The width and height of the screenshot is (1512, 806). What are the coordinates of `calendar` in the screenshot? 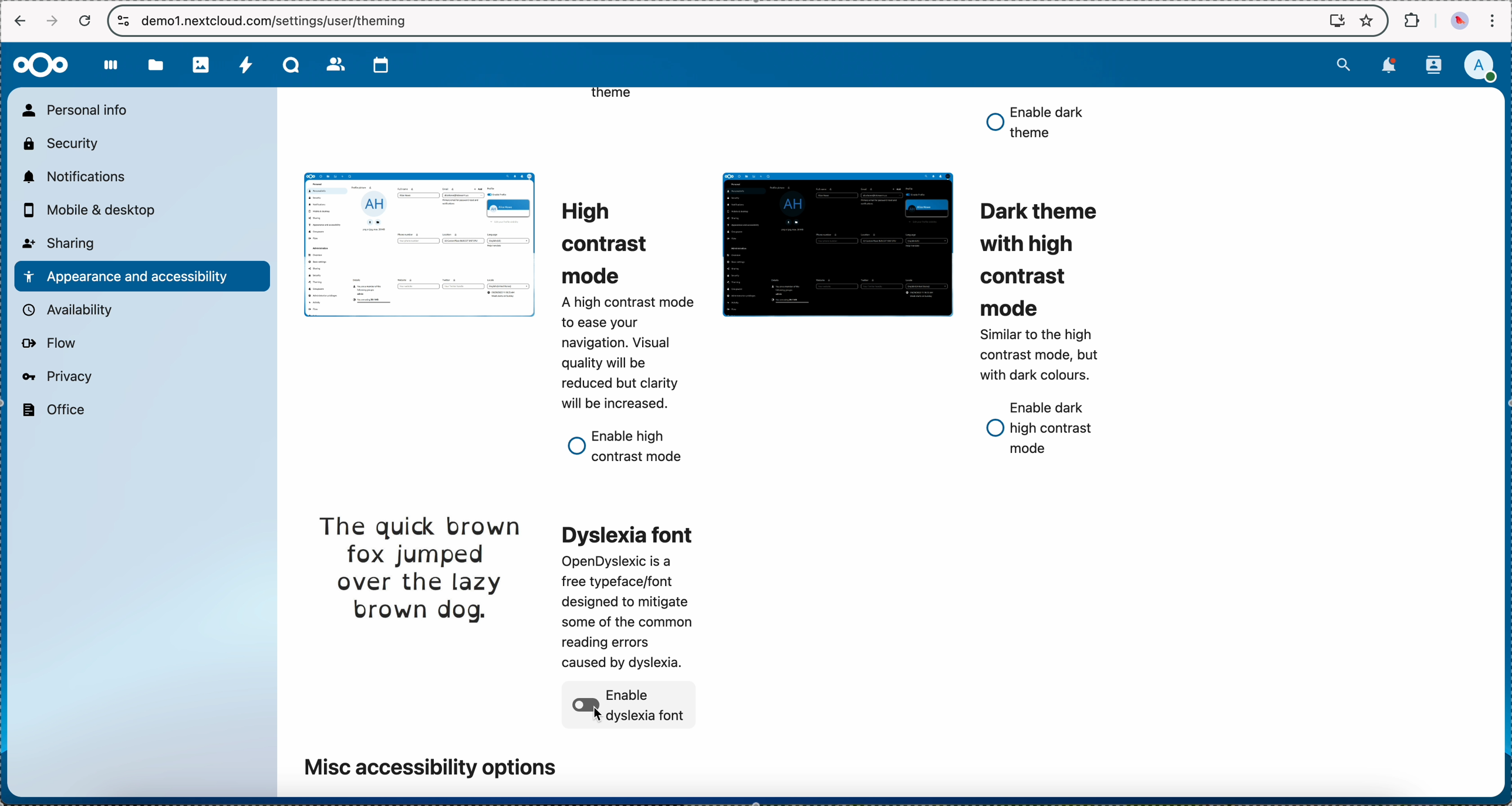 It's located at (376, 65).